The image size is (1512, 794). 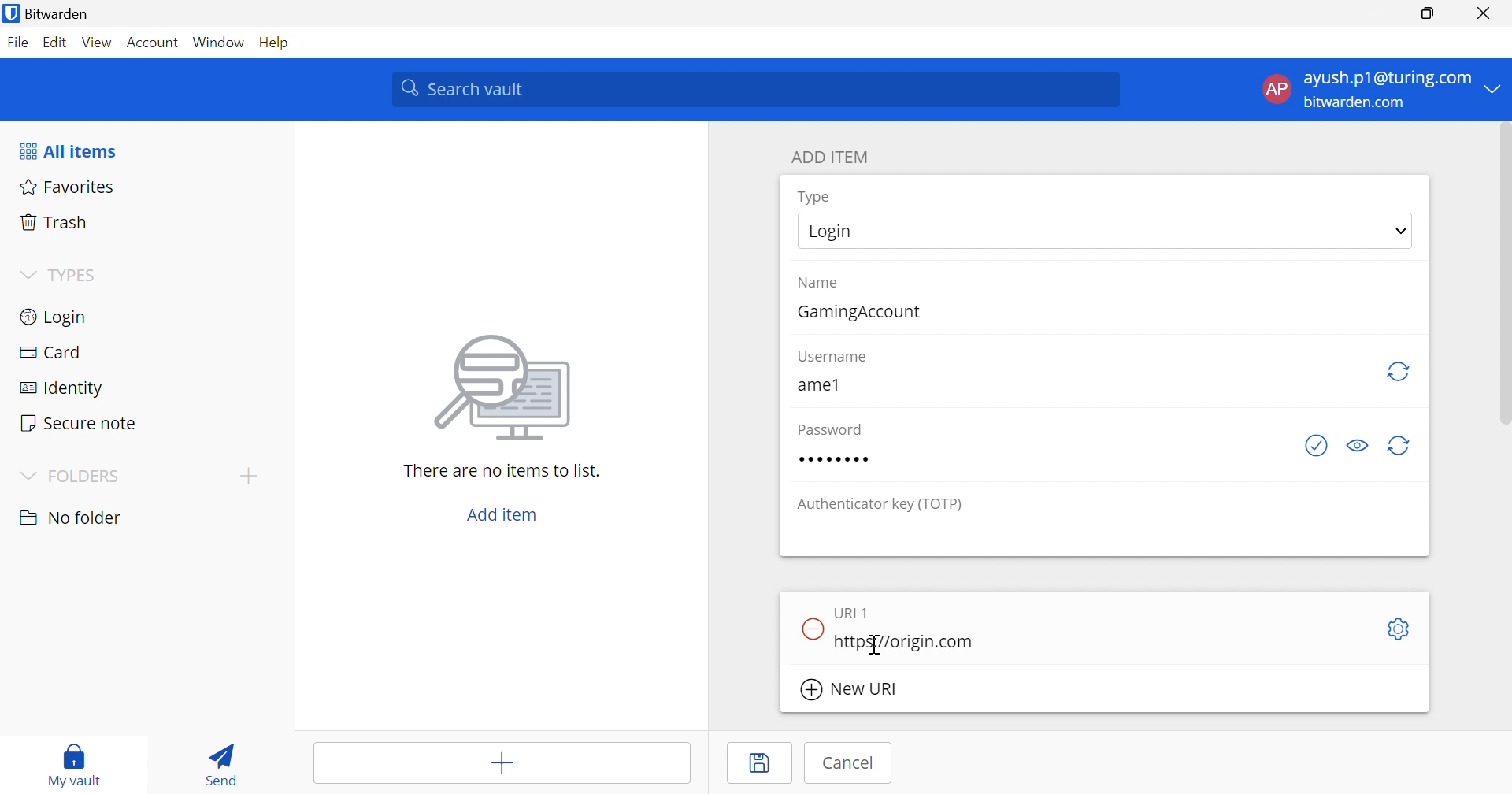 What do you see at coordinates (876, 645) in the screenshot?
I see `Cursor` at bounding box center [876, 645].